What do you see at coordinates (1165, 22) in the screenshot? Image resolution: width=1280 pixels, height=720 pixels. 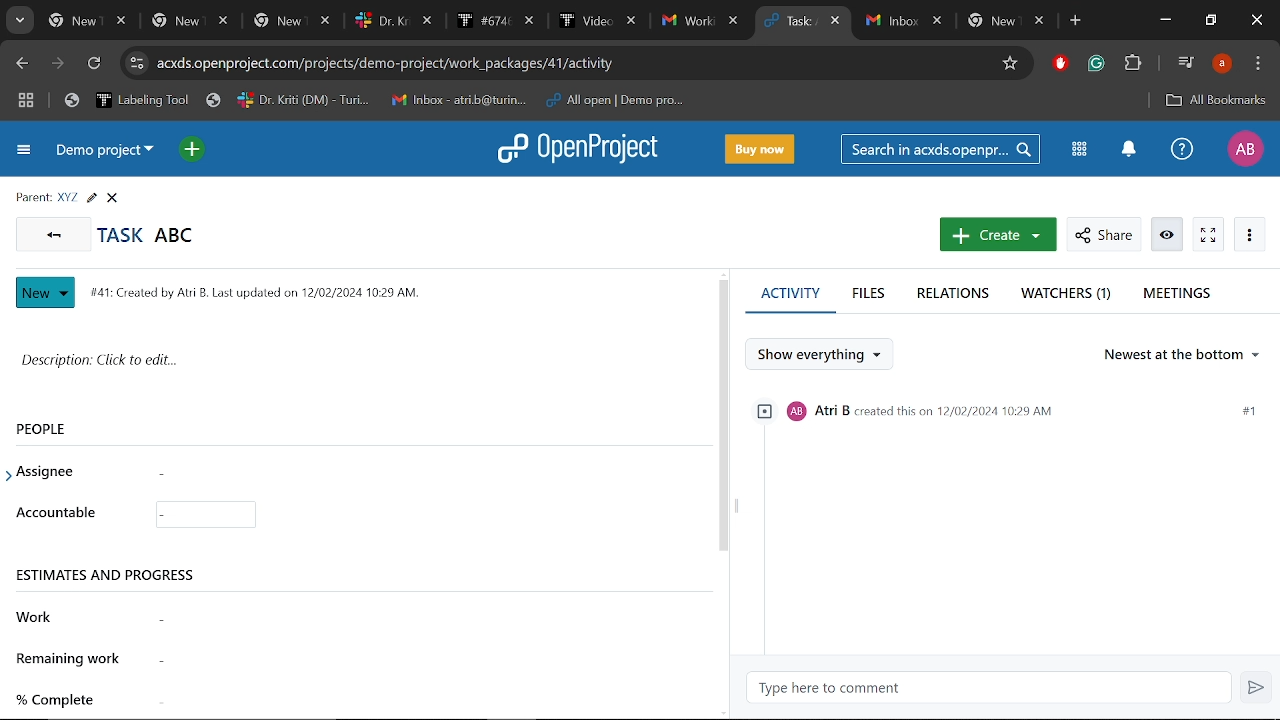 I see `Minimize` at bounding box center [1165, 22].